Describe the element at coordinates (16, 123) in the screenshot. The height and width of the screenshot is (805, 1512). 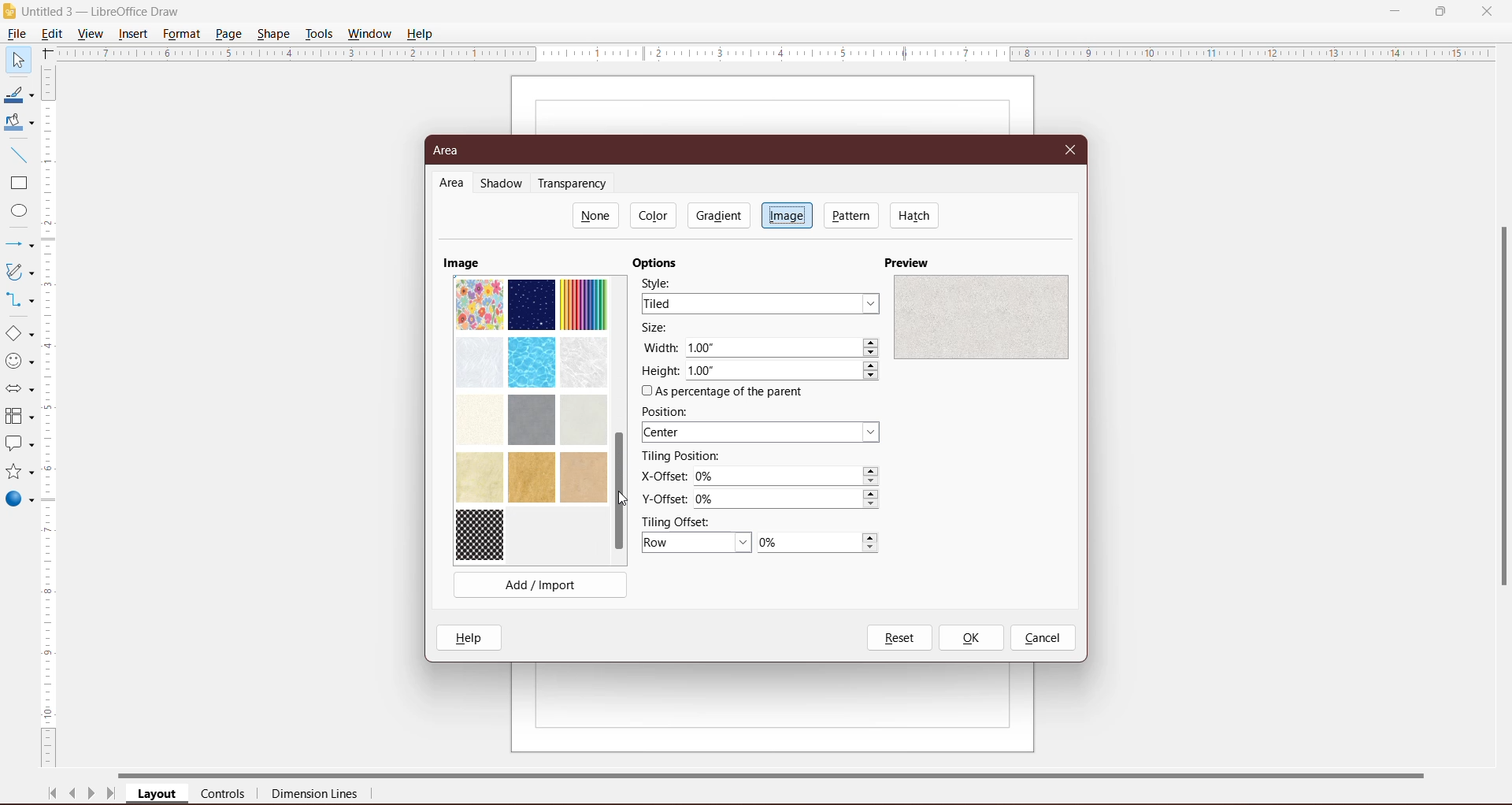
I see `Fill Color` at that location.